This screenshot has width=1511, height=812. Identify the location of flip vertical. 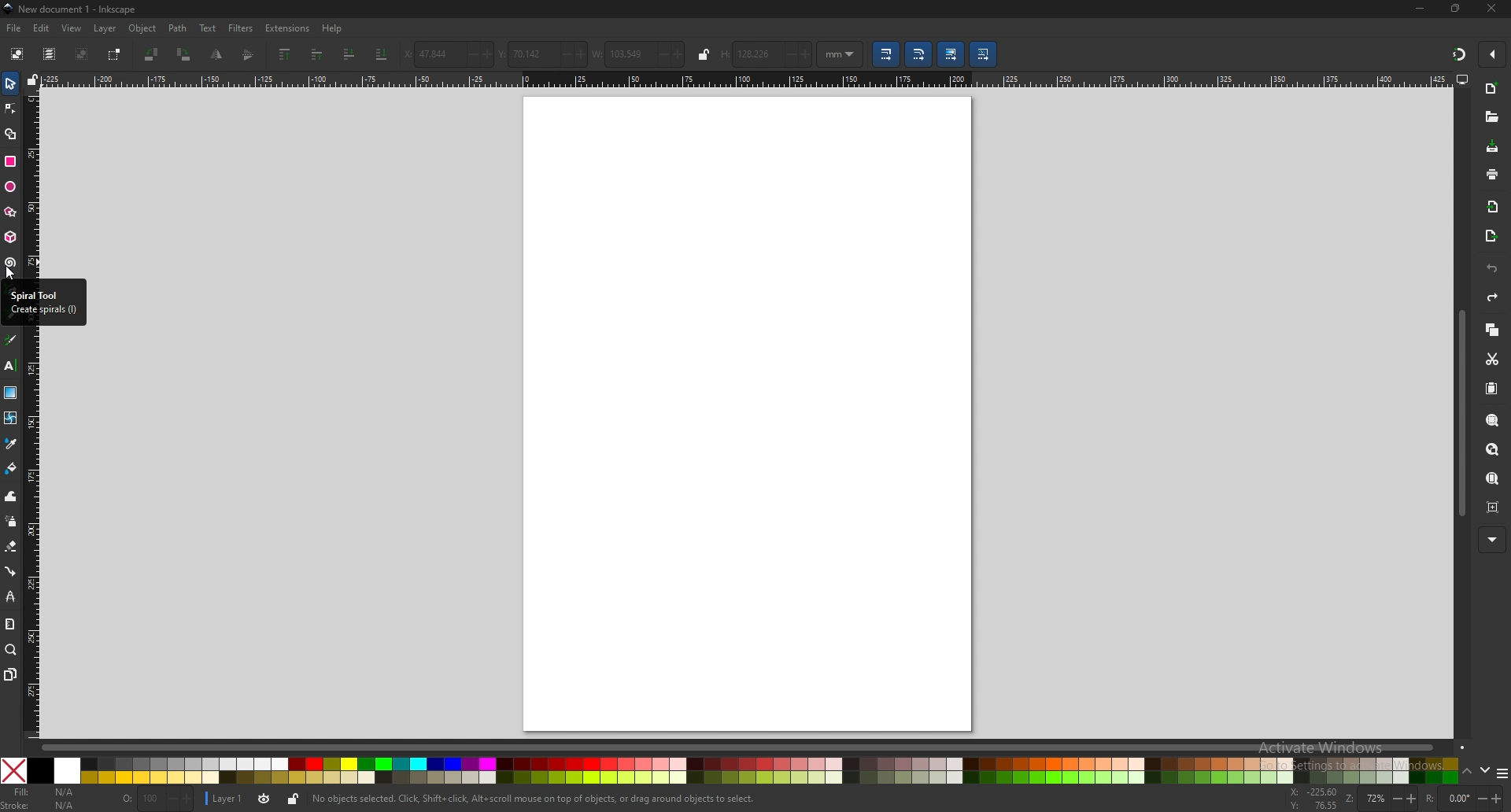
(249, 57).